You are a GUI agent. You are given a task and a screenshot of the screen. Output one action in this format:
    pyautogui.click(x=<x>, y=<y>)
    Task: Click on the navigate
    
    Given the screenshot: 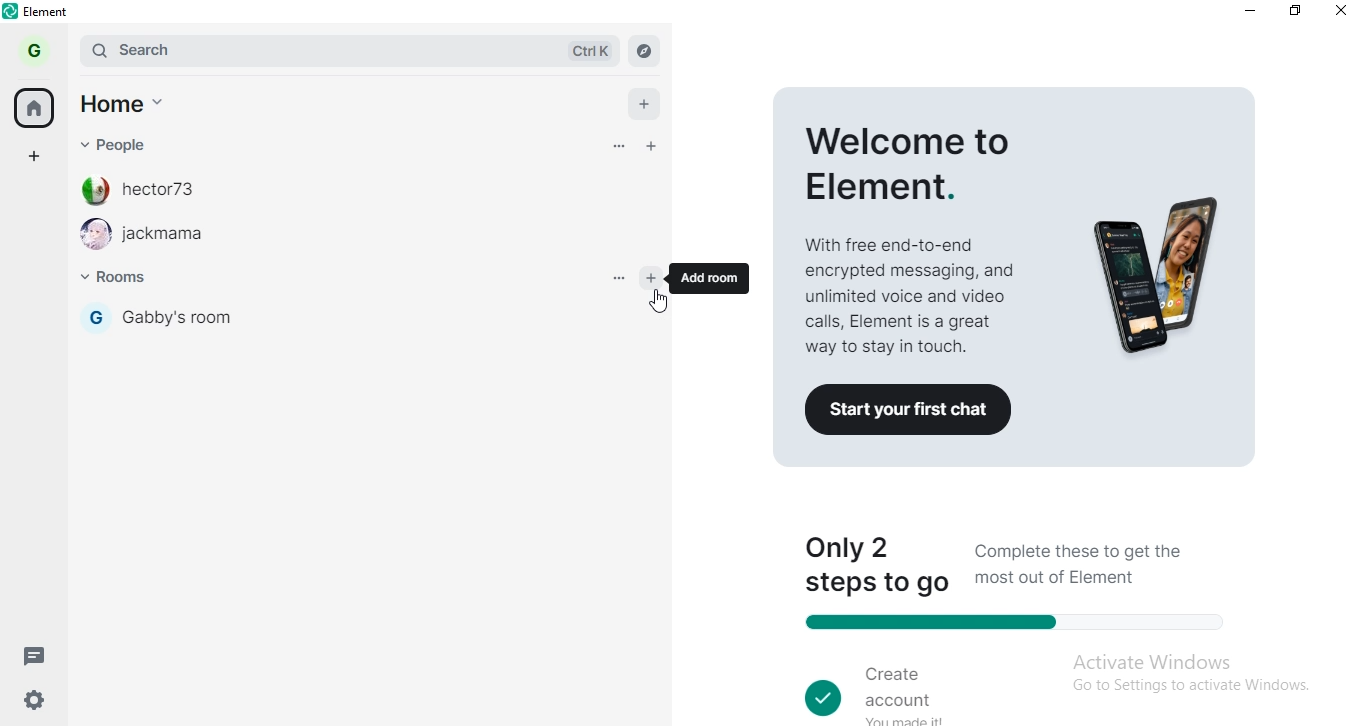 What is the action you would take?
    pyautogui.click(x=647, y=51)
    